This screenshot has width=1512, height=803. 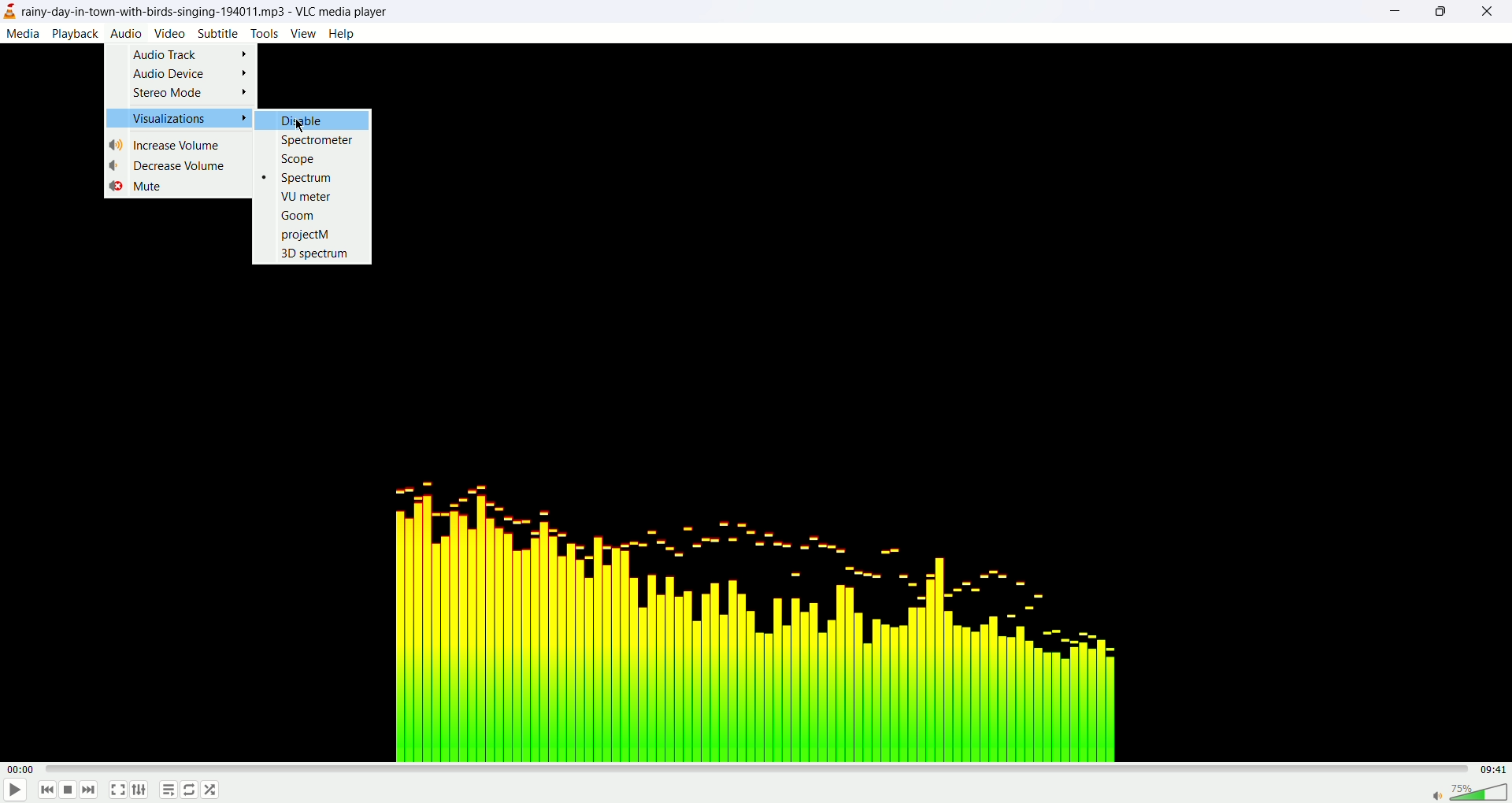 What do you see at coordinates (303, 33) in the screenshot?
I see `views` at bounding box center [303, 33].